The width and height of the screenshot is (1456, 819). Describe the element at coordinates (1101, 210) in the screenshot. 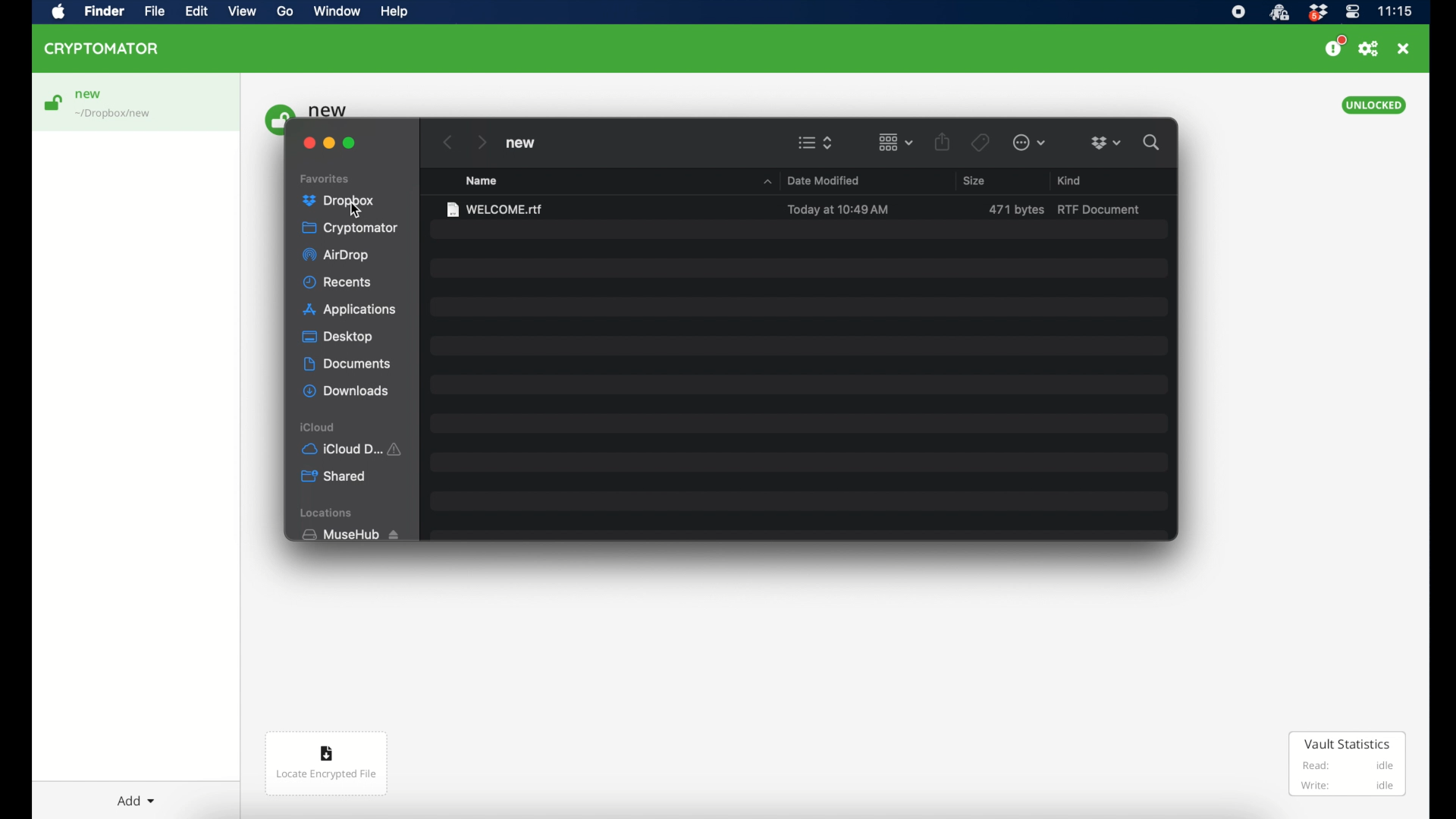

I see `rtf document` at that location.